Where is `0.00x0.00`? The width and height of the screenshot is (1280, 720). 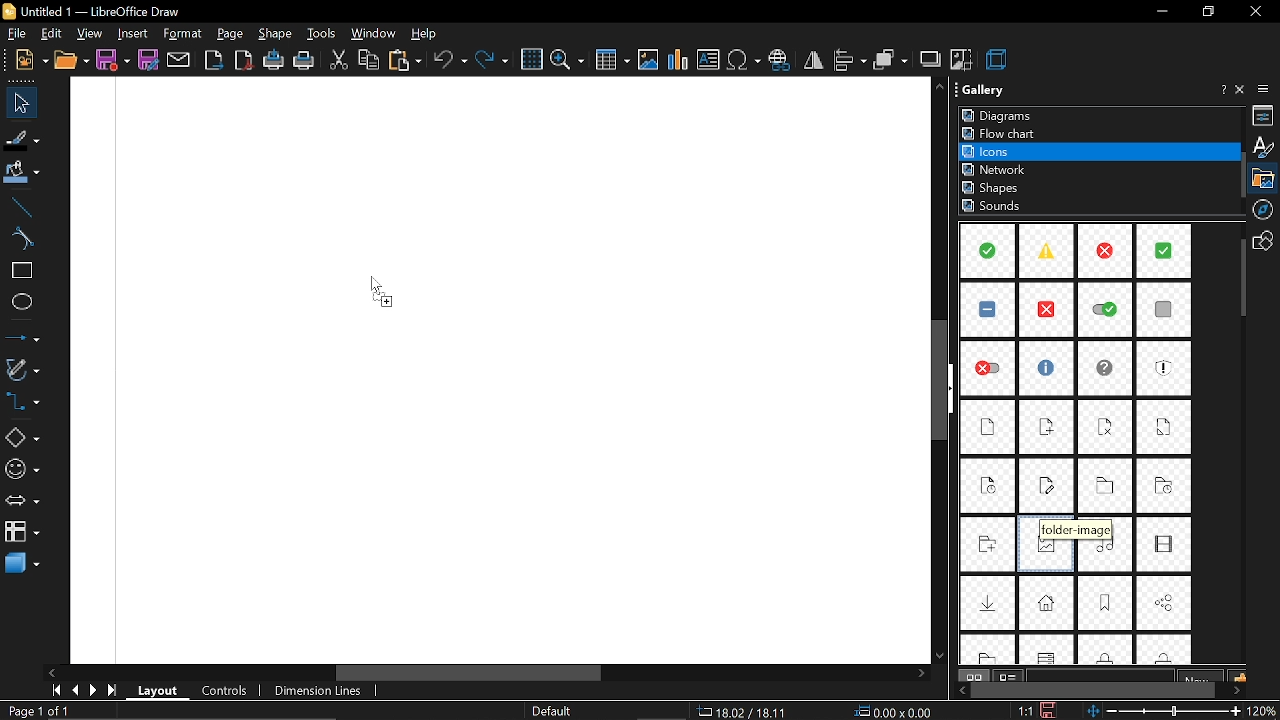
0.00x0.00 is located at coordinates (894, 712).